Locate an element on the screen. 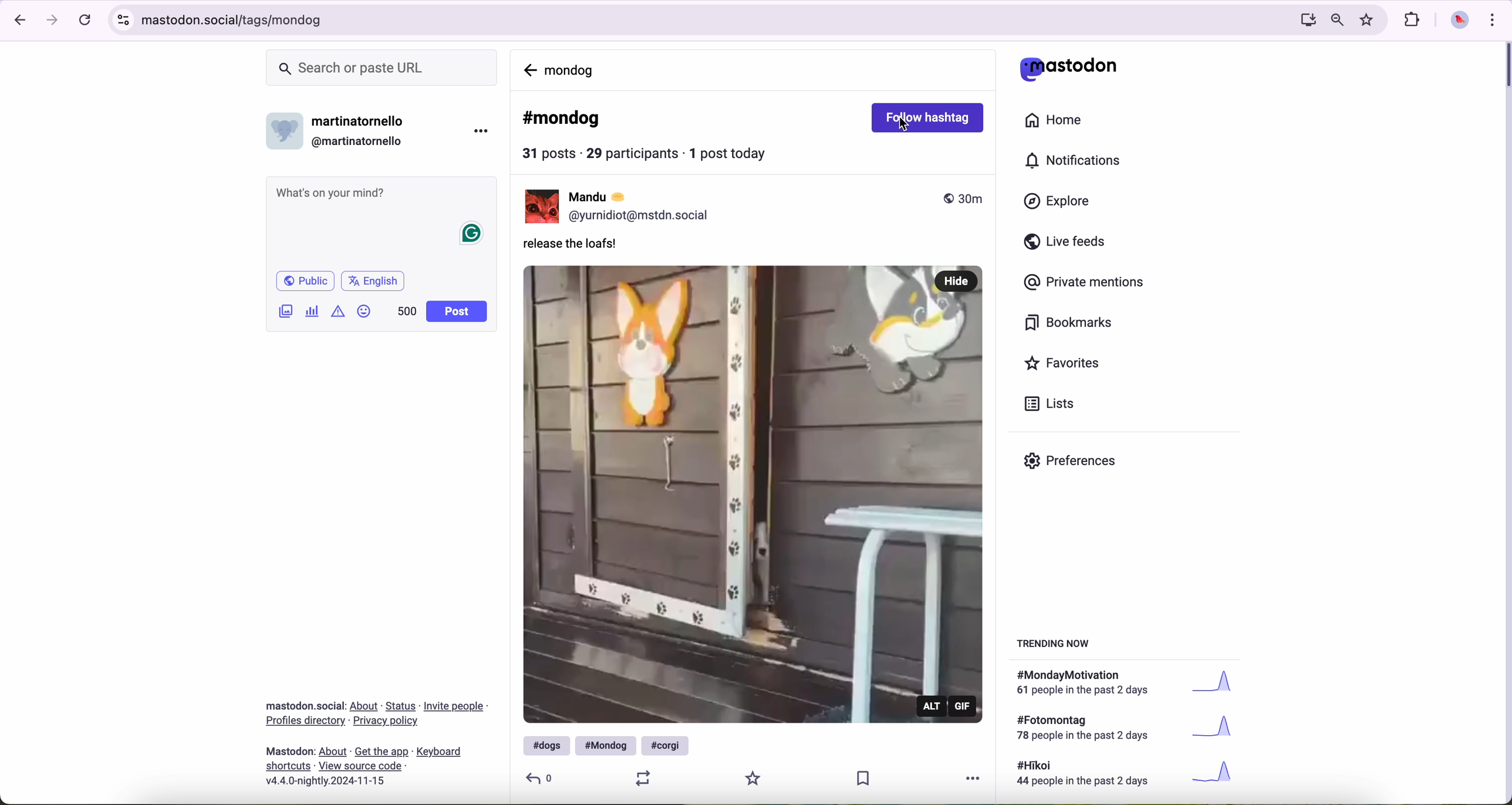 The width and height of the screenshot is (1512, 805). Mastodon social is located at coordinates (302, 706).